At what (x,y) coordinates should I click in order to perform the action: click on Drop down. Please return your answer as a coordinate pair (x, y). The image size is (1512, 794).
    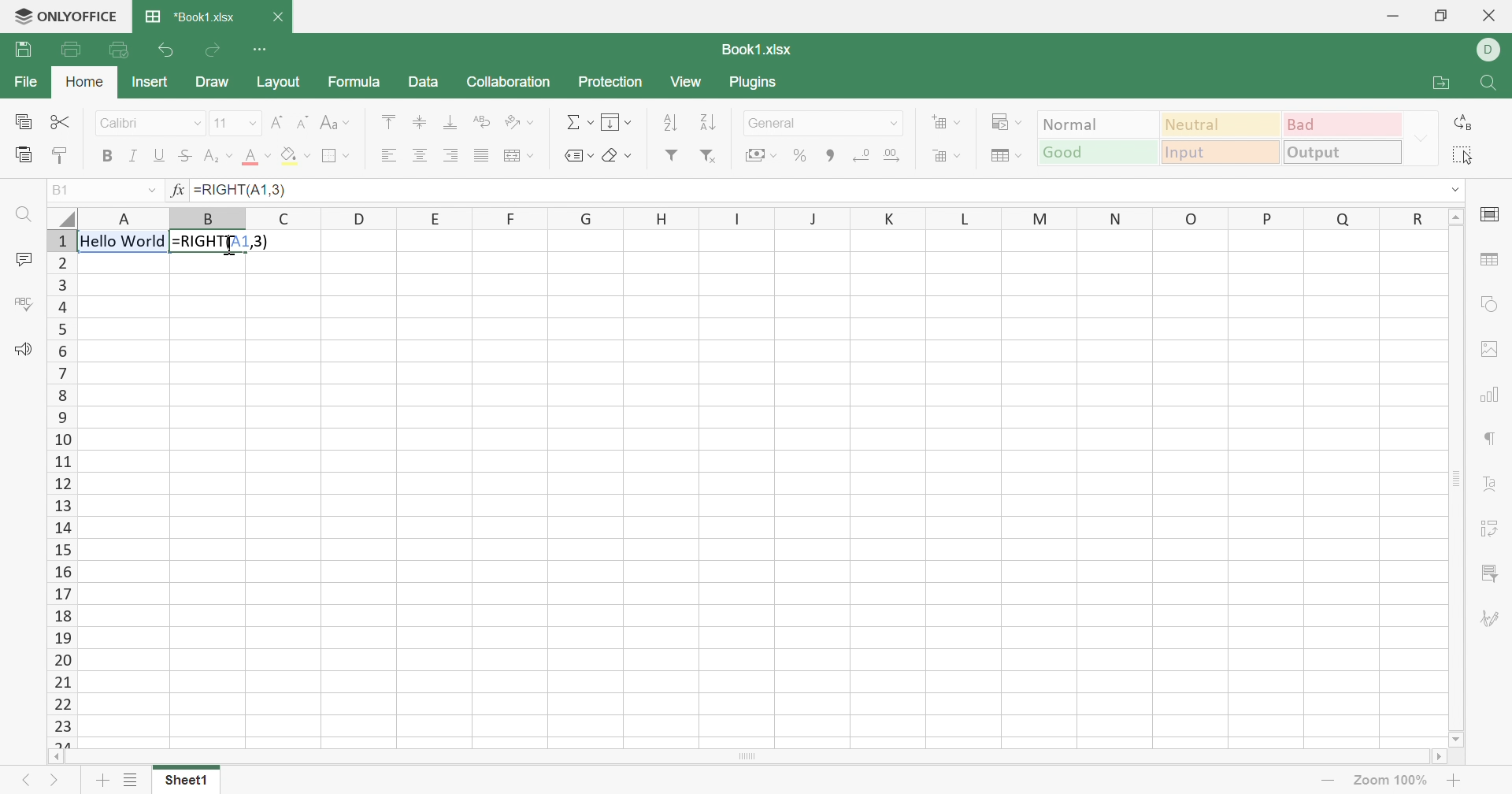
    Looking at the image, I should click on (1418, 137).